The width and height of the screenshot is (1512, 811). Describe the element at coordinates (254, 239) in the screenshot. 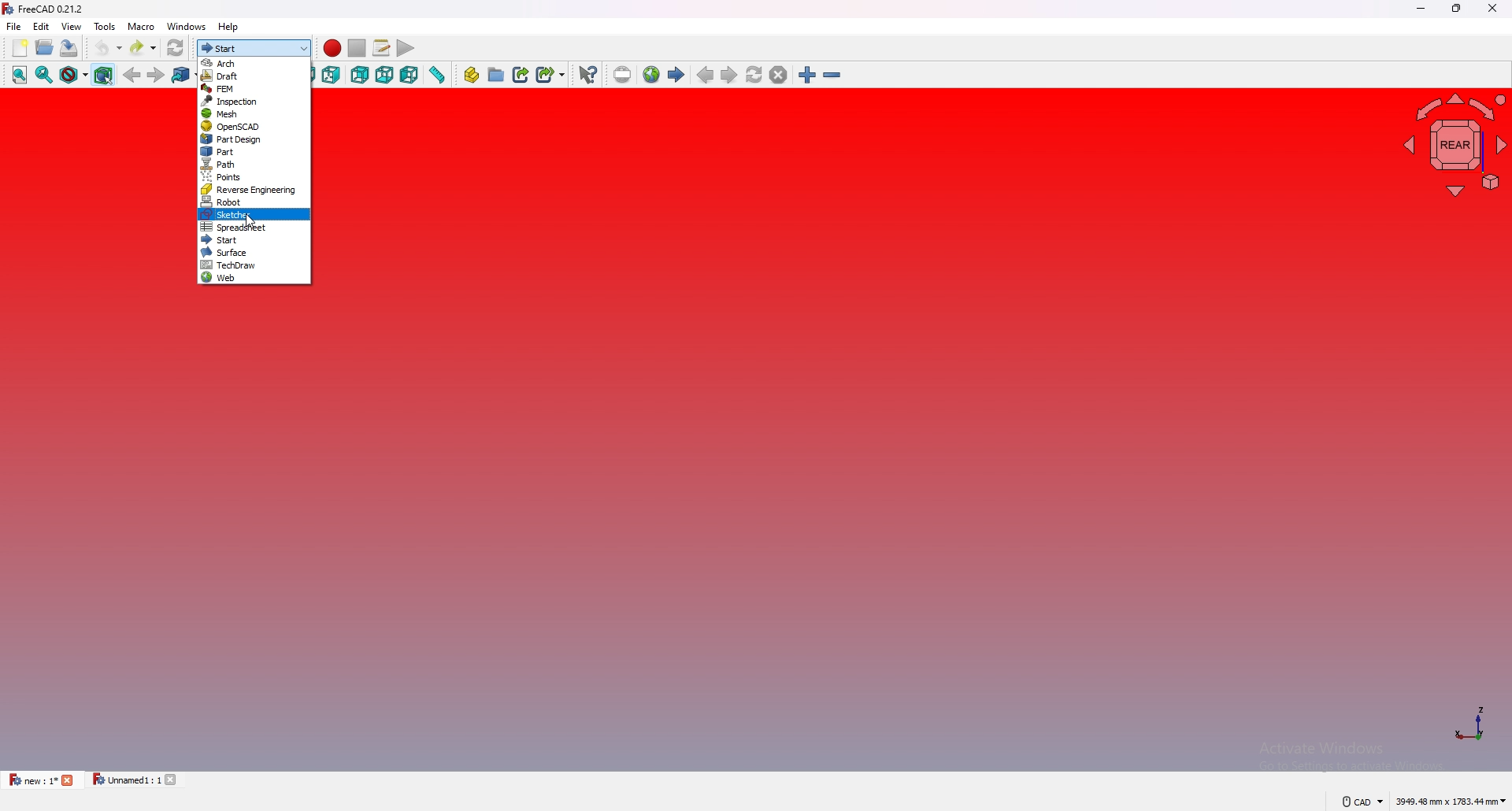

I see `start` at that location.